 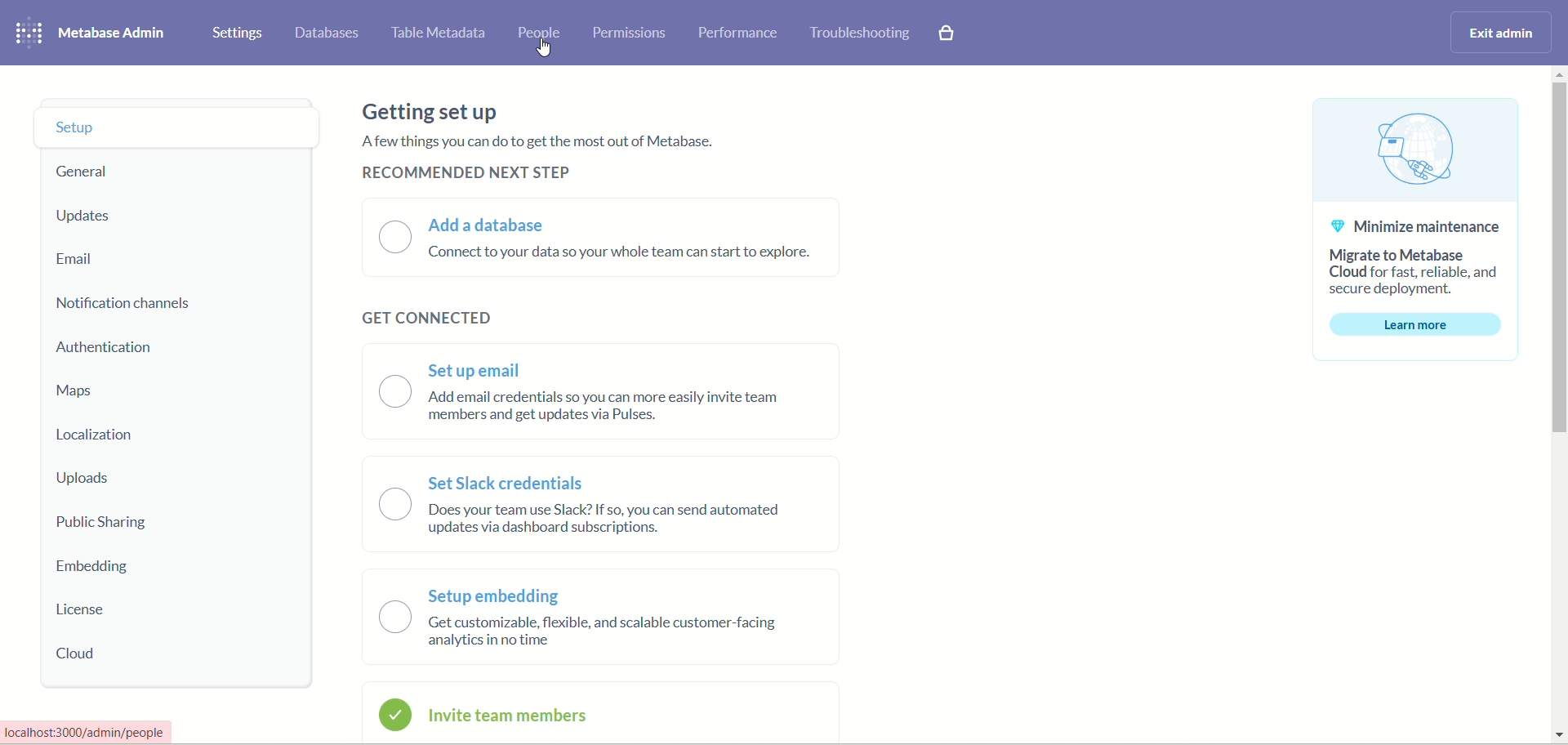 I want to click on text, so click(x=610, y=520).